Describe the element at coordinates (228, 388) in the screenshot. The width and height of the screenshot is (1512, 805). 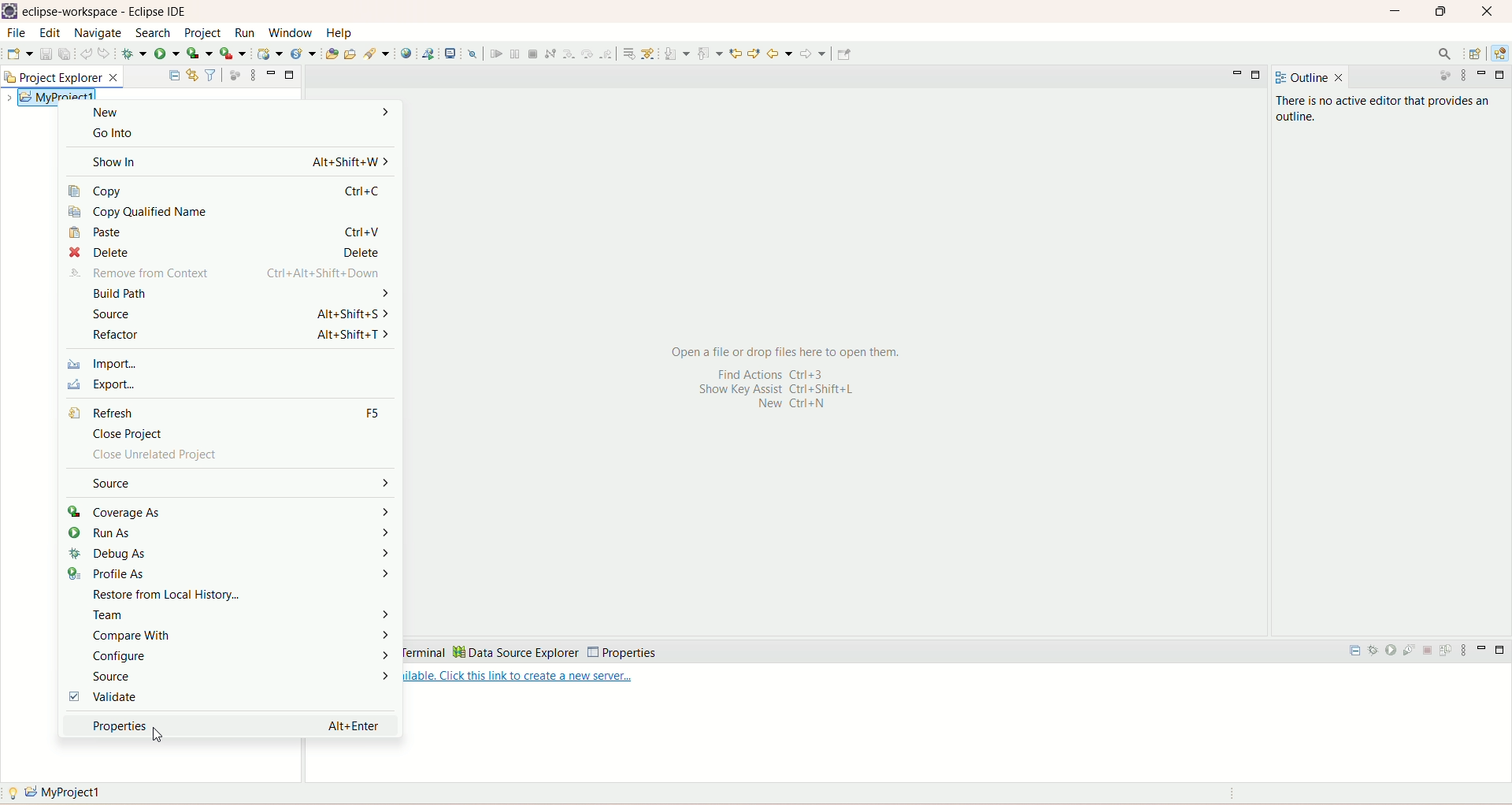
I see `export` at that location.